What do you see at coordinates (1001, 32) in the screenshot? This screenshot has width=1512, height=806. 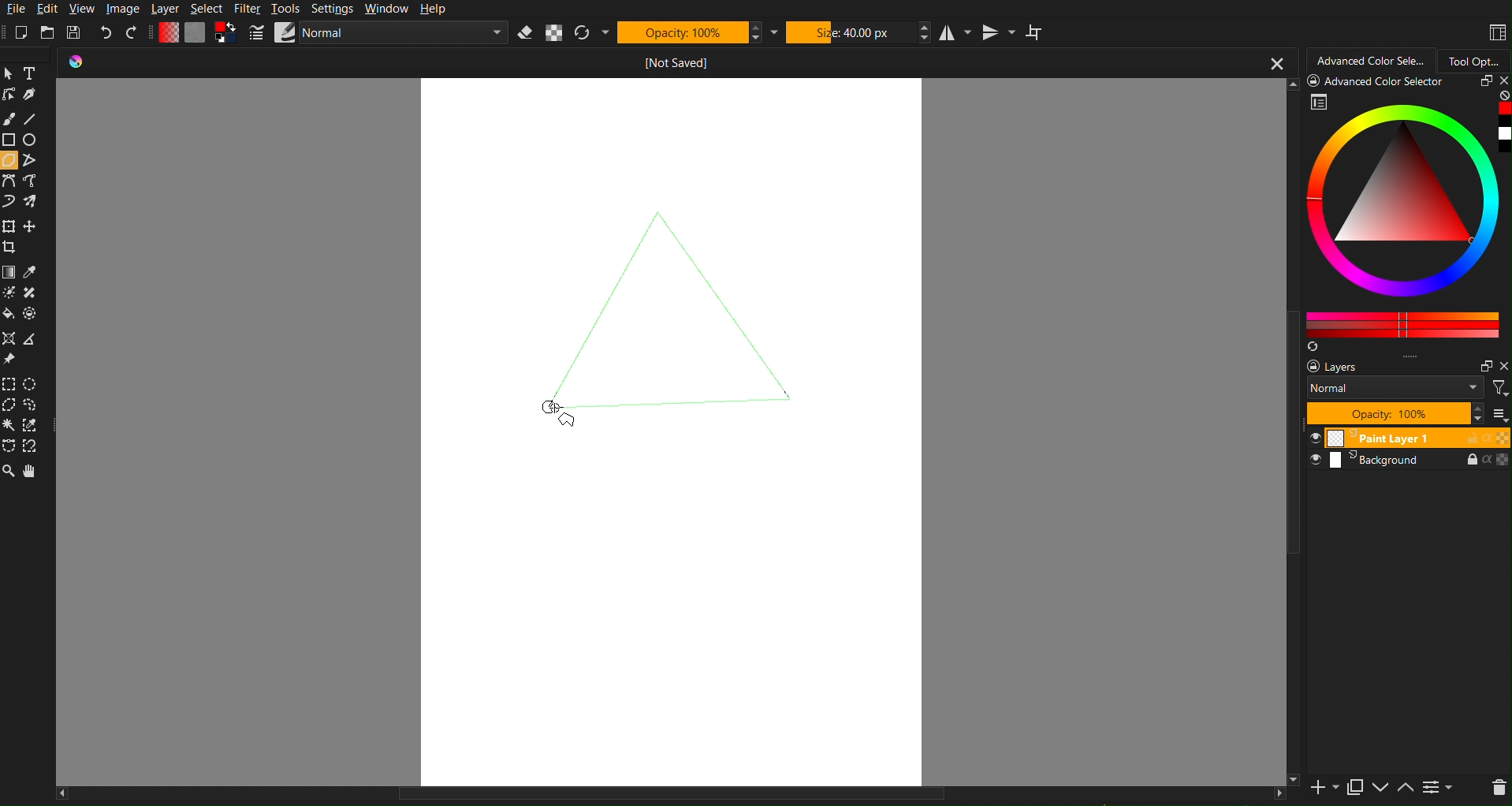 I see `Vertical Mirror` at bounding box center [1001, 32].